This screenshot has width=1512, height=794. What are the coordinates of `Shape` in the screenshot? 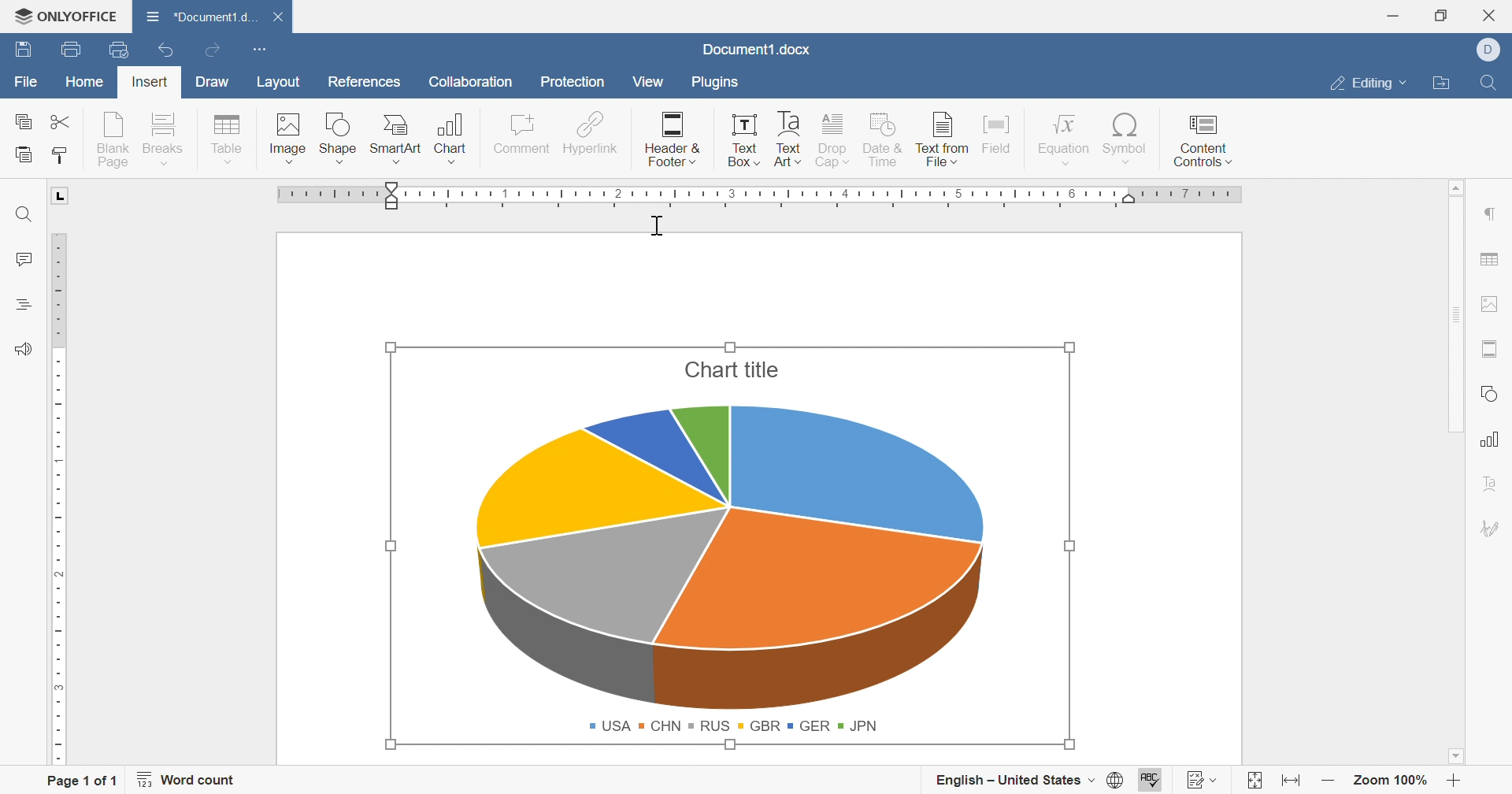 It's located at (339, 136).